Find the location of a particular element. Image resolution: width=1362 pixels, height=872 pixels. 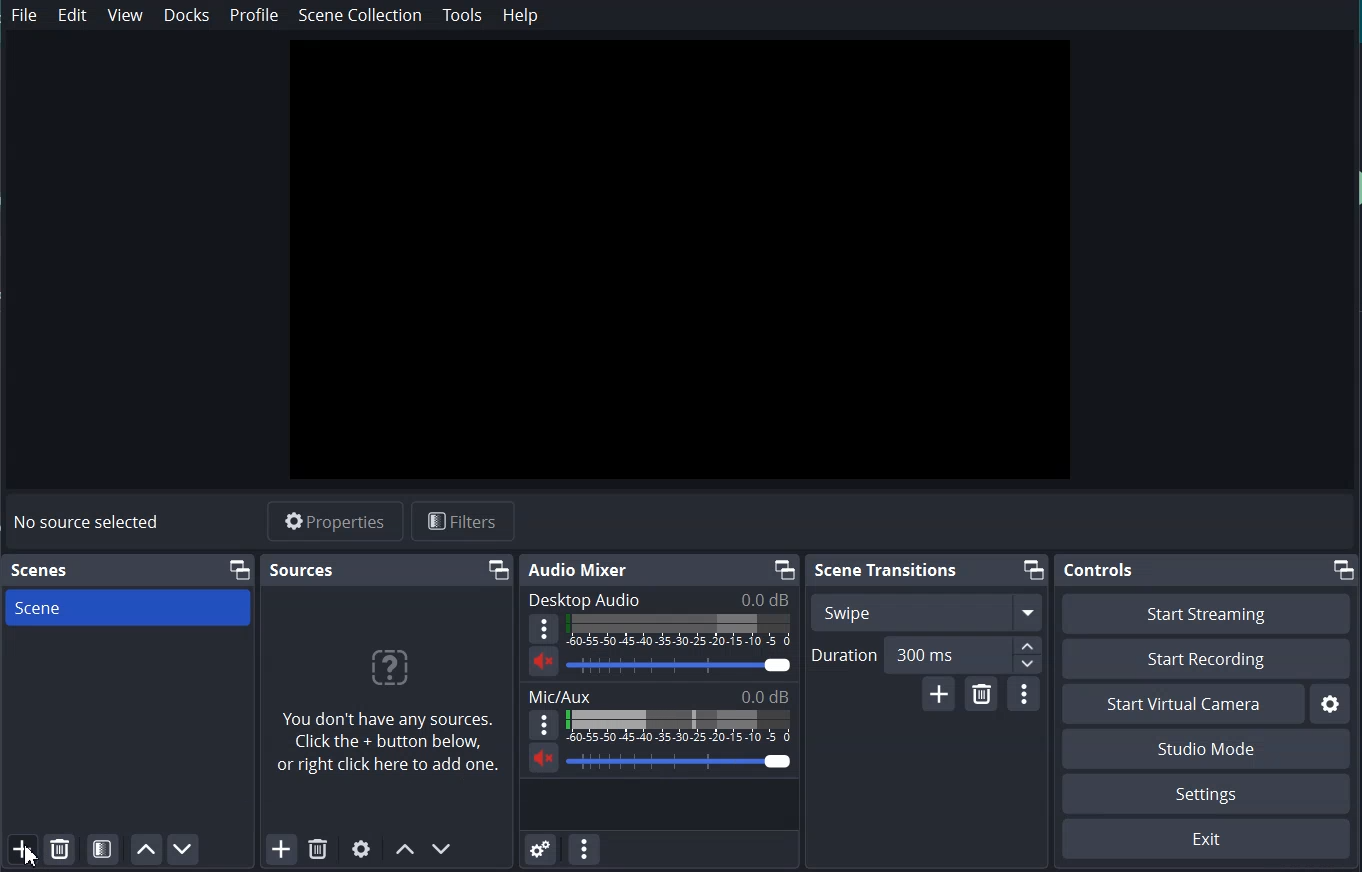

Text  is located at coordinates (42, 571).